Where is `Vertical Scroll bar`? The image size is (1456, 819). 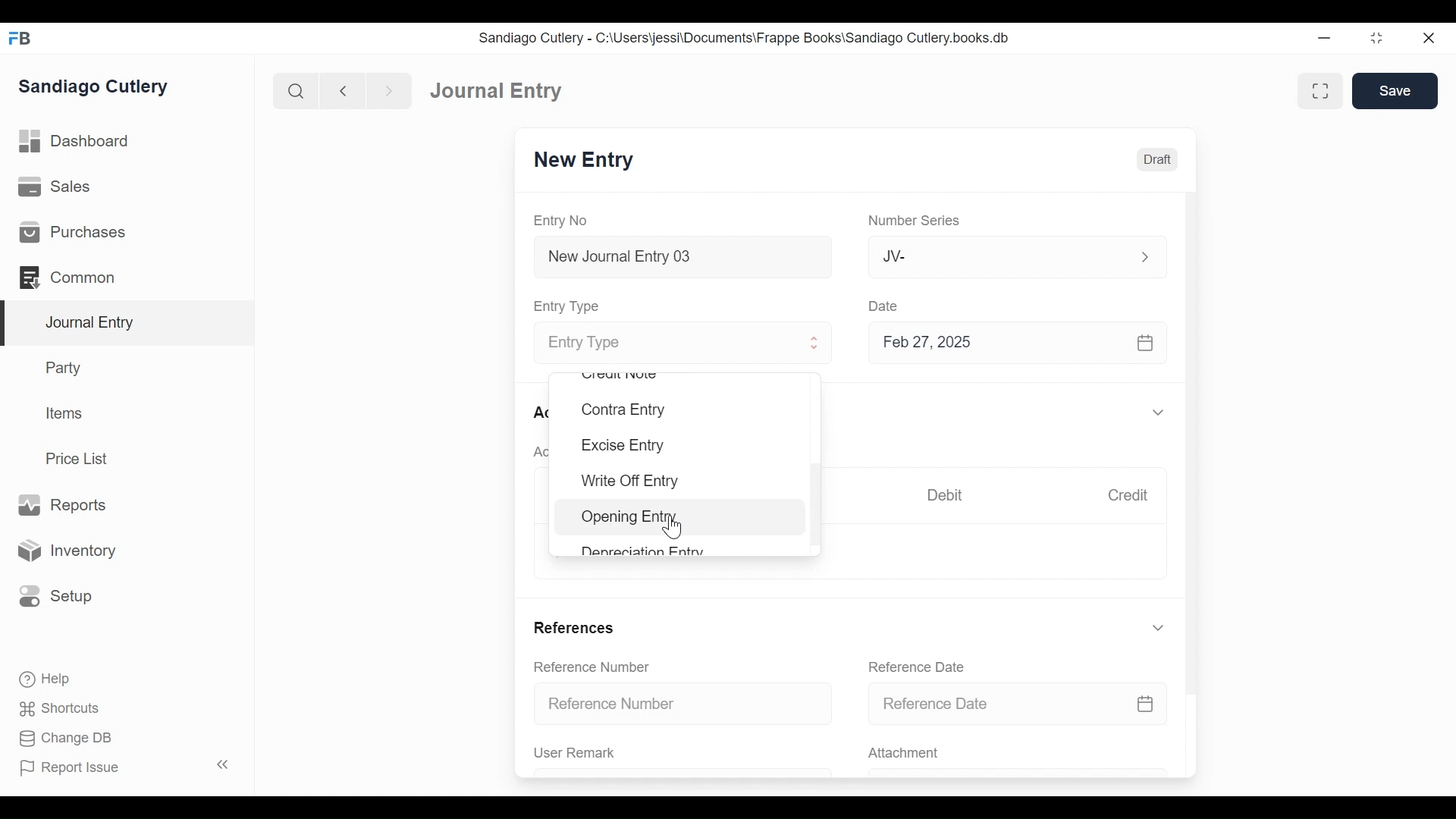
Vertical Scroll bar is located at coordinates (1194, 431).